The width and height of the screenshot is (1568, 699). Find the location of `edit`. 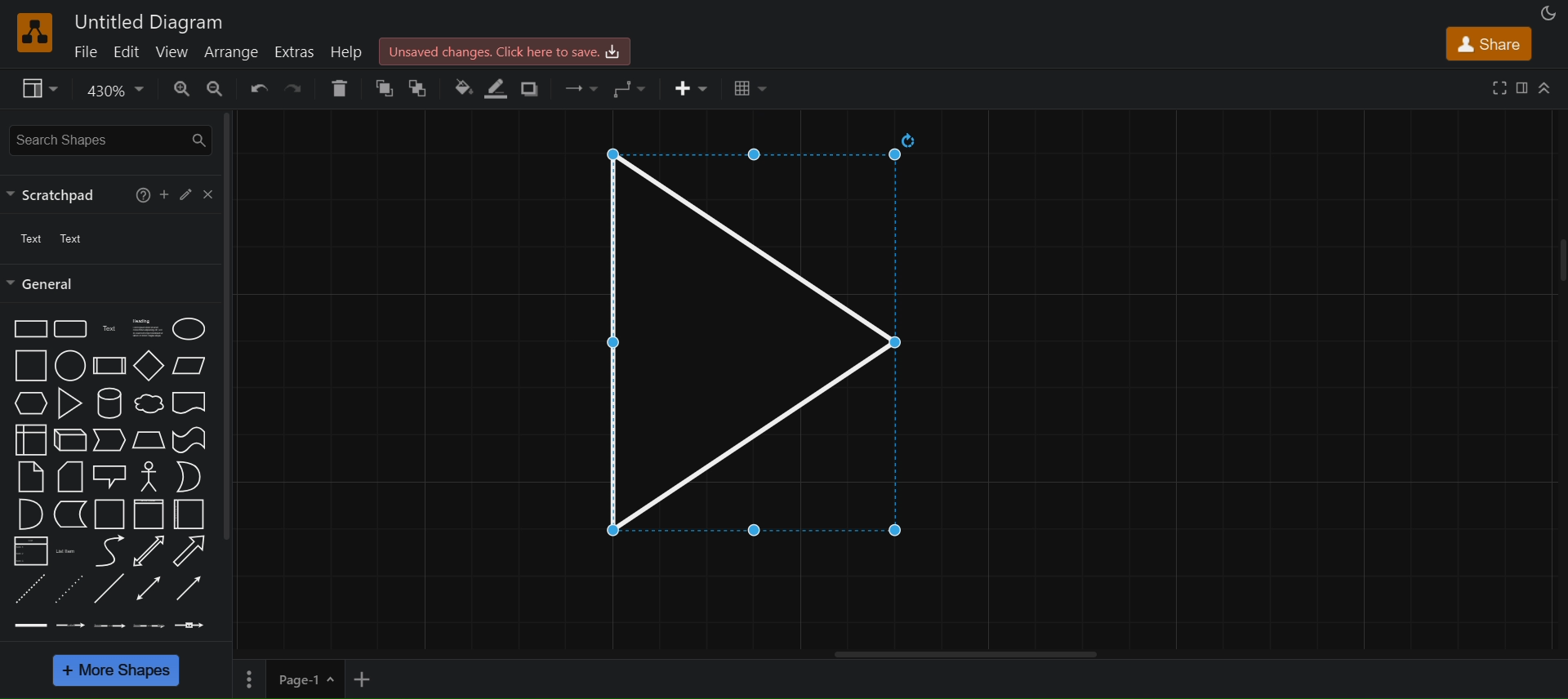

edit is located at coordinates (128, 51).